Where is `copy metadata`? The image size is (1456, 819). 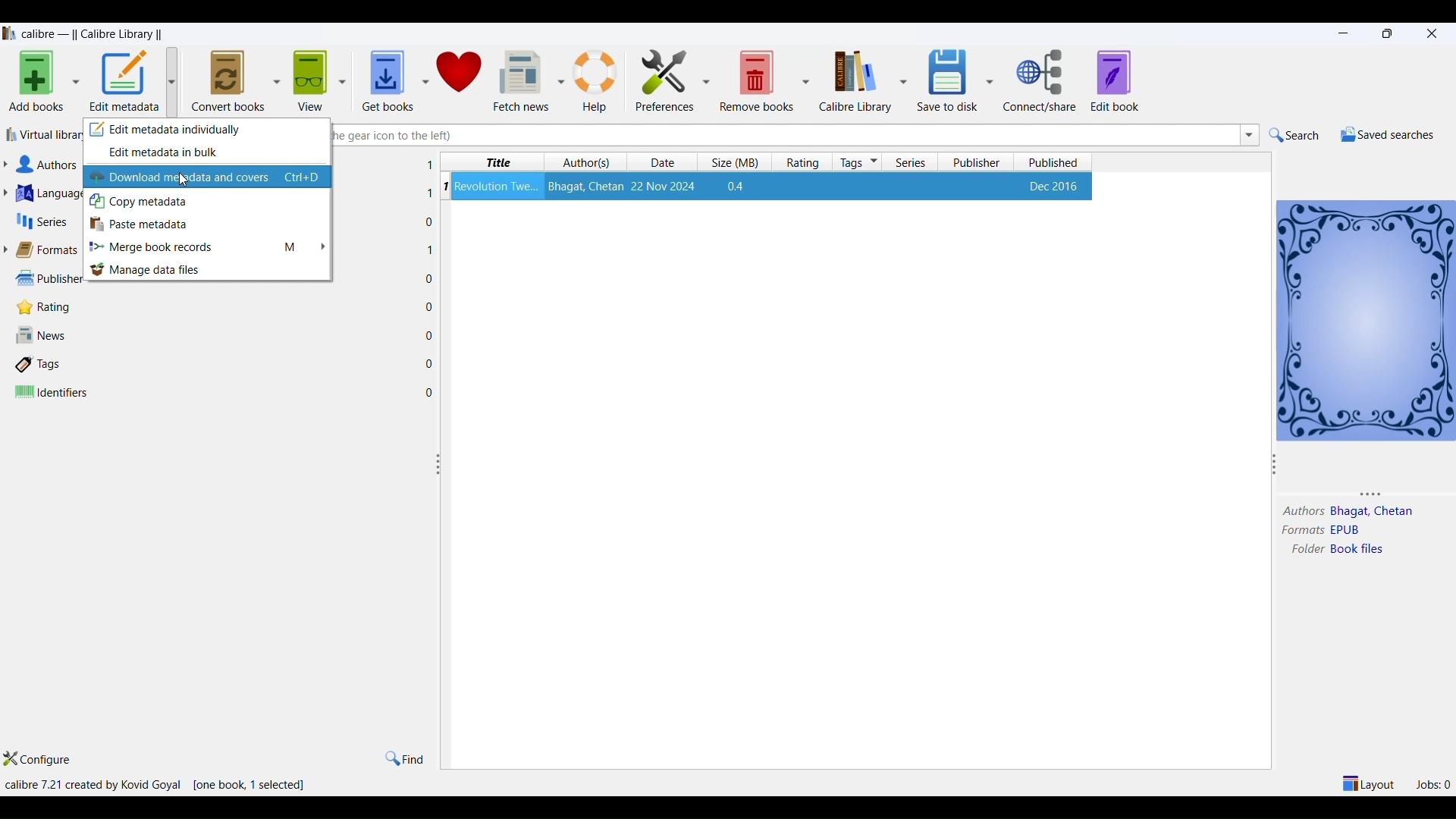
copy metadata is located at coordinates (208, 202).